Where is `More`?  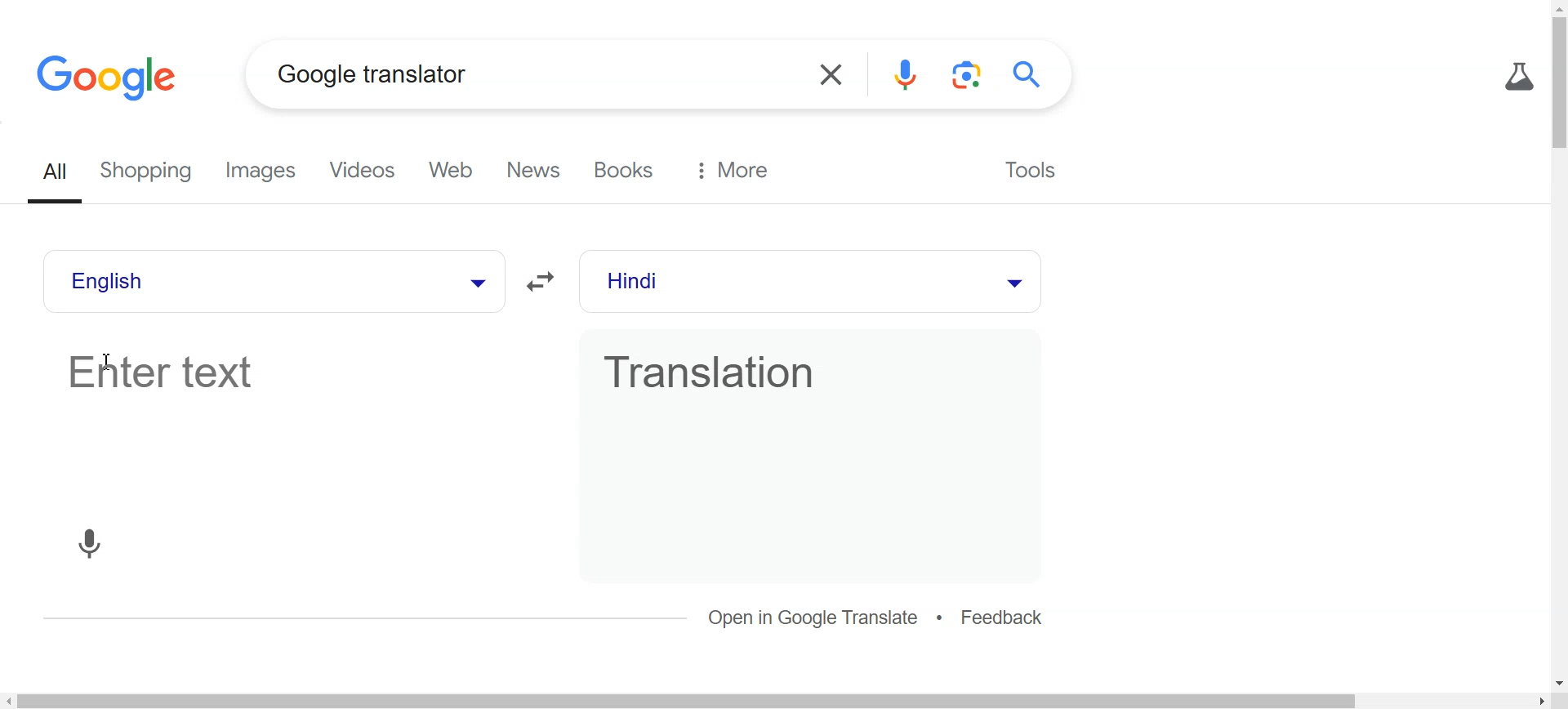 More is located at coordinates (733, 170).